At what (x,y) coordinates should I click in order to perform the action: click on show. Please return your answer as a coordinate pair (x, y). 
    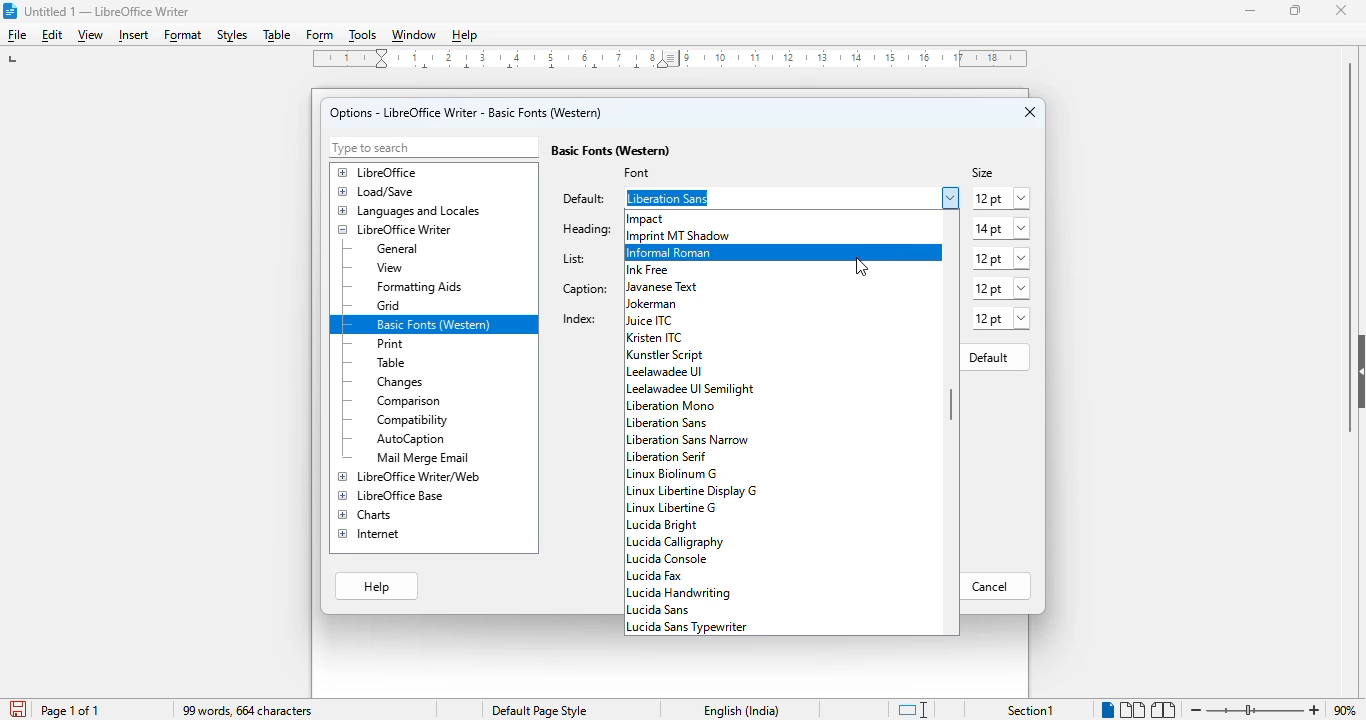
    Looking at the image, I should click on (1357, 371).